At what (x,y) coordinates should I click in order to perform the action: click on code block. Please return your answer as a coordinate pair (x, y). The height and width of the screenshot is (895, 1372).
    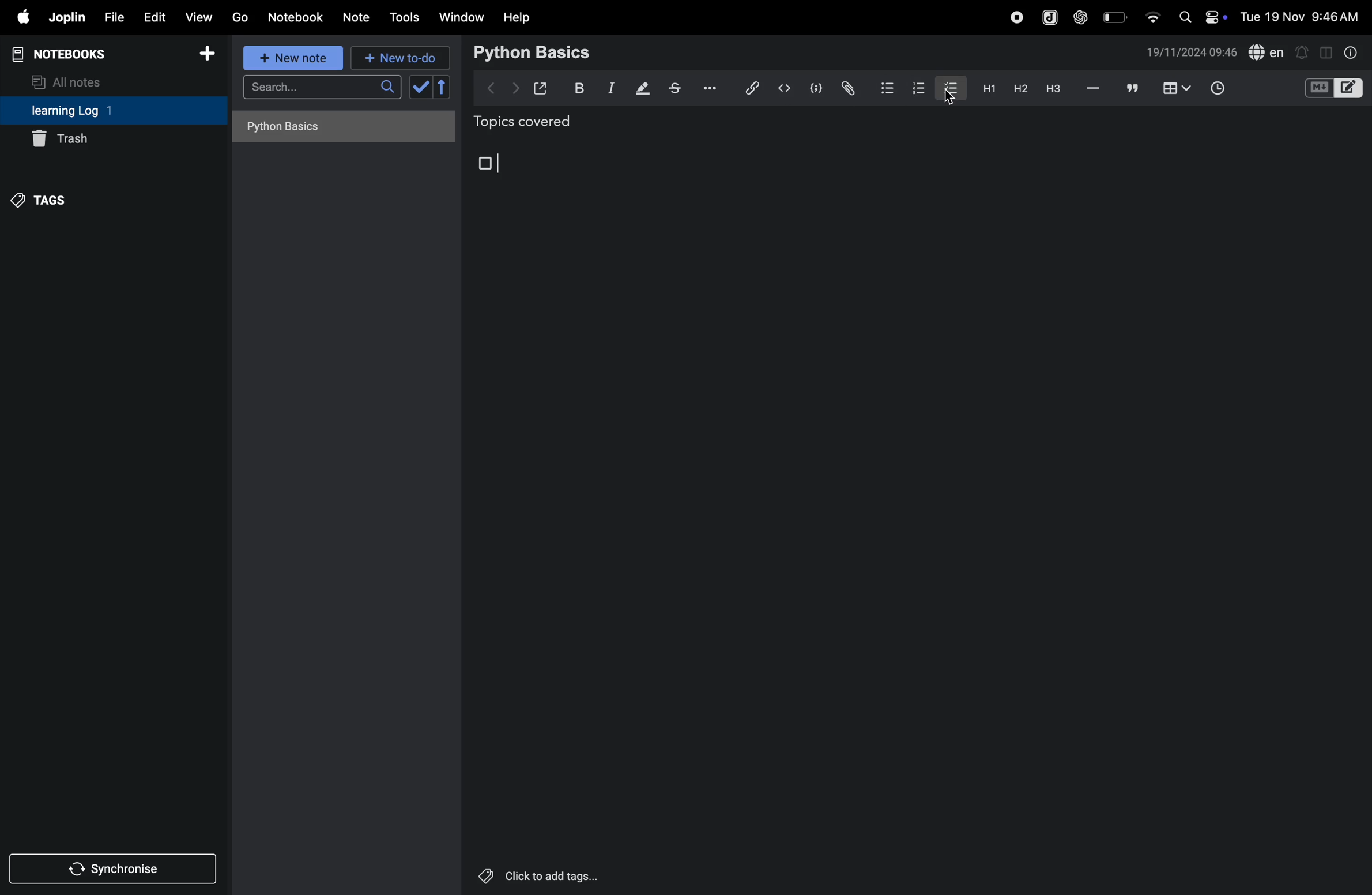
    Looking at the image, I should click on (1333, 89).